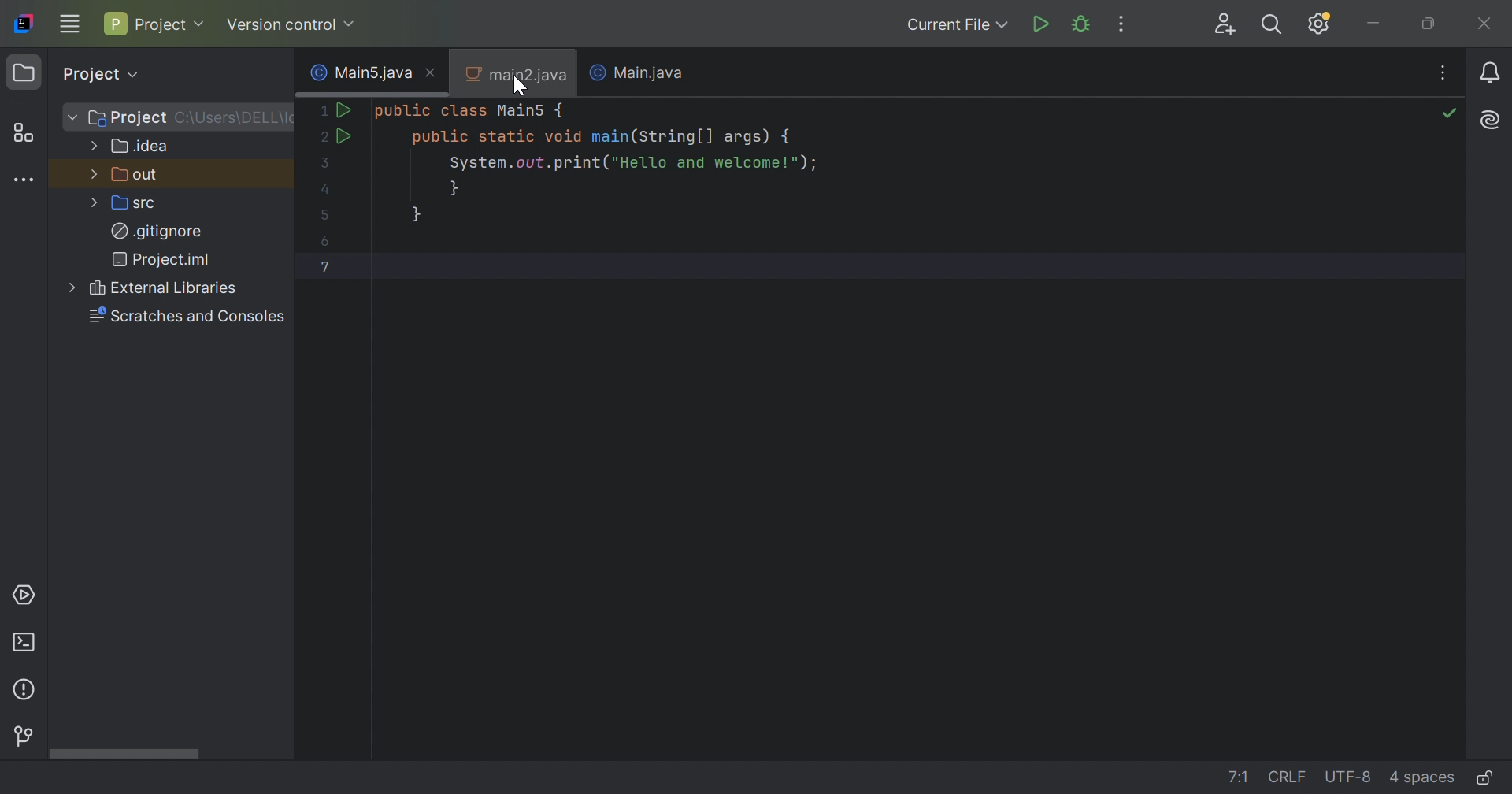 The width and height of the screenshot is (1512, 794). Describe the element at coordinates (24, 736) in the screenshot. I see `Version control` at that location.